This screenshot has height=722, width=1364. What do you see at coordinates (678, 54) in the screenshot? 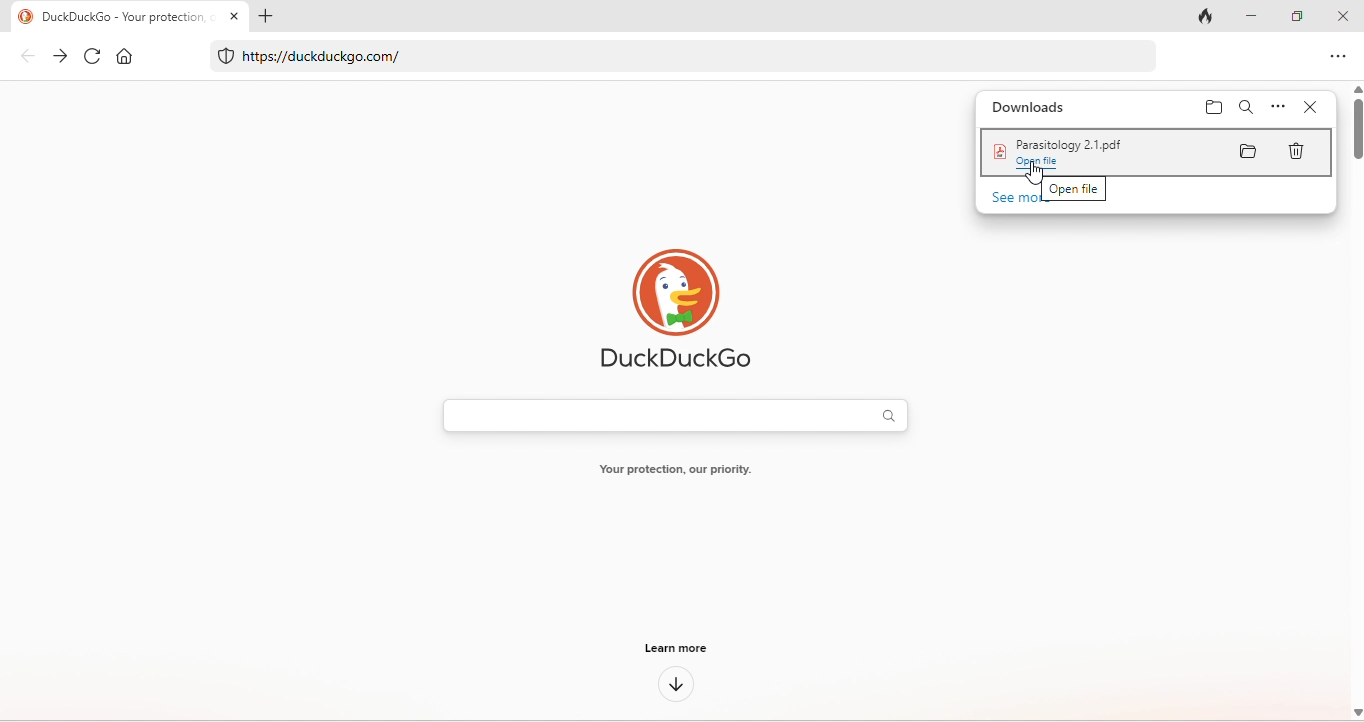
I see `https//duckduckgo.com/` at bounding box center [678, 54].